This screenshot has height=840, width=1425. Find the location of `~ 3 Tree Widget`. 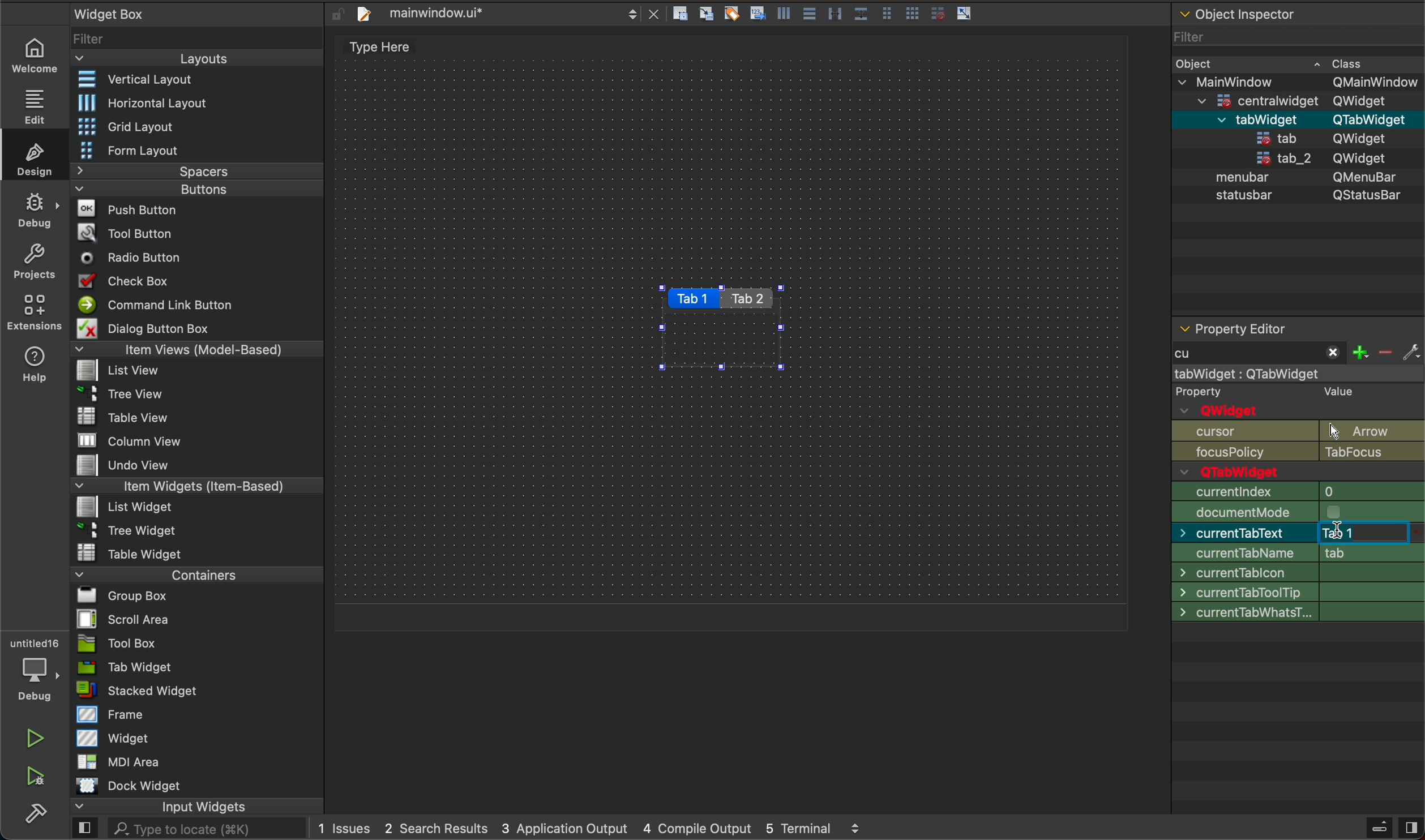

~ 3 Tree Widget is located at coordinates (119, 530).